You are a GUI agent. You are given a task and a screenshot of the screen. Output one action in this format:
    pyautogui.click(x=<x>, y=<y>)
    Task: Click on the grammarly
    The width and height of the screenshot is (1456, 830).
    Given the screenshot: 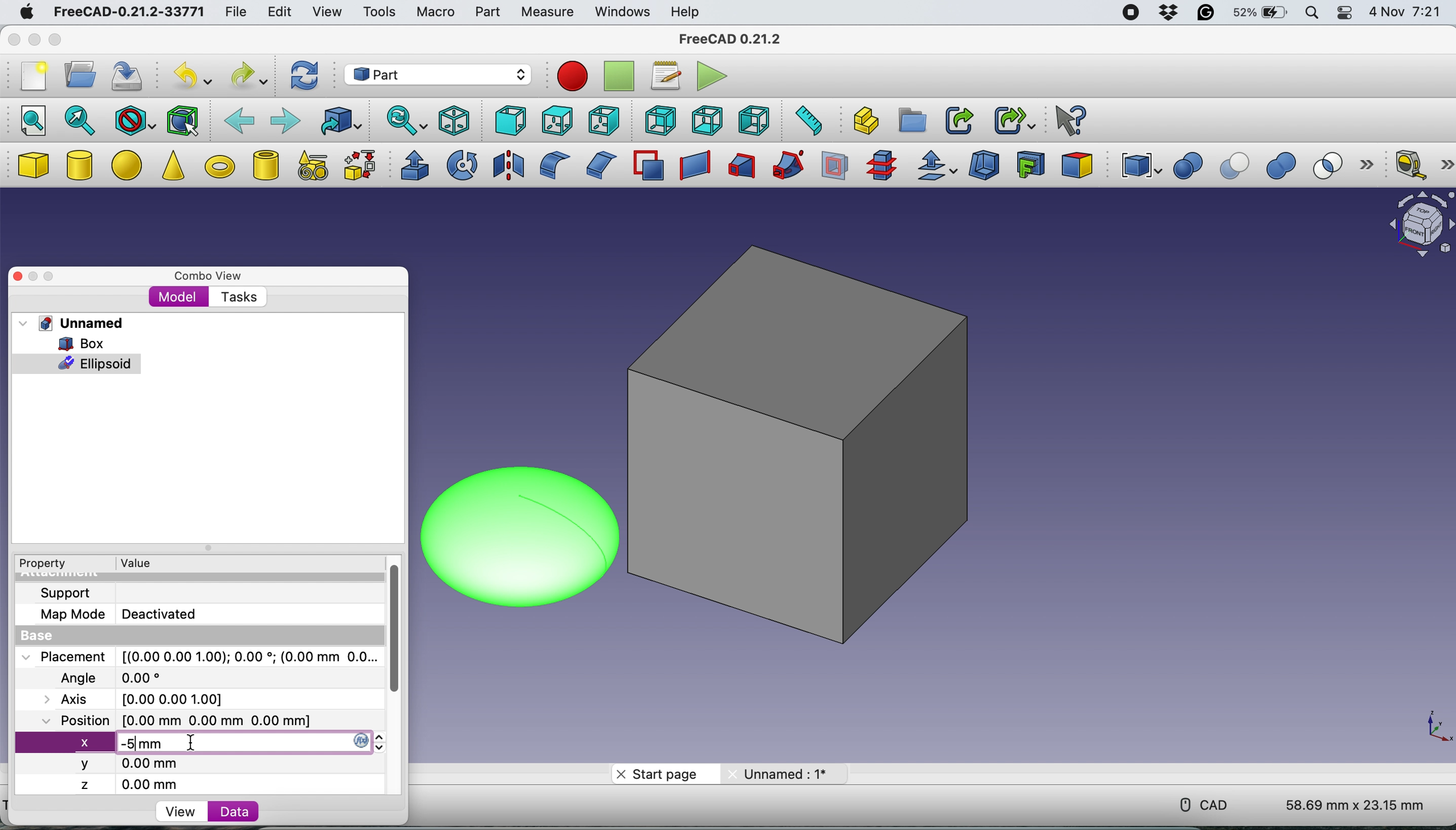 What is the action you would take?
    pyautogui.click(x=1205, y=14)
    